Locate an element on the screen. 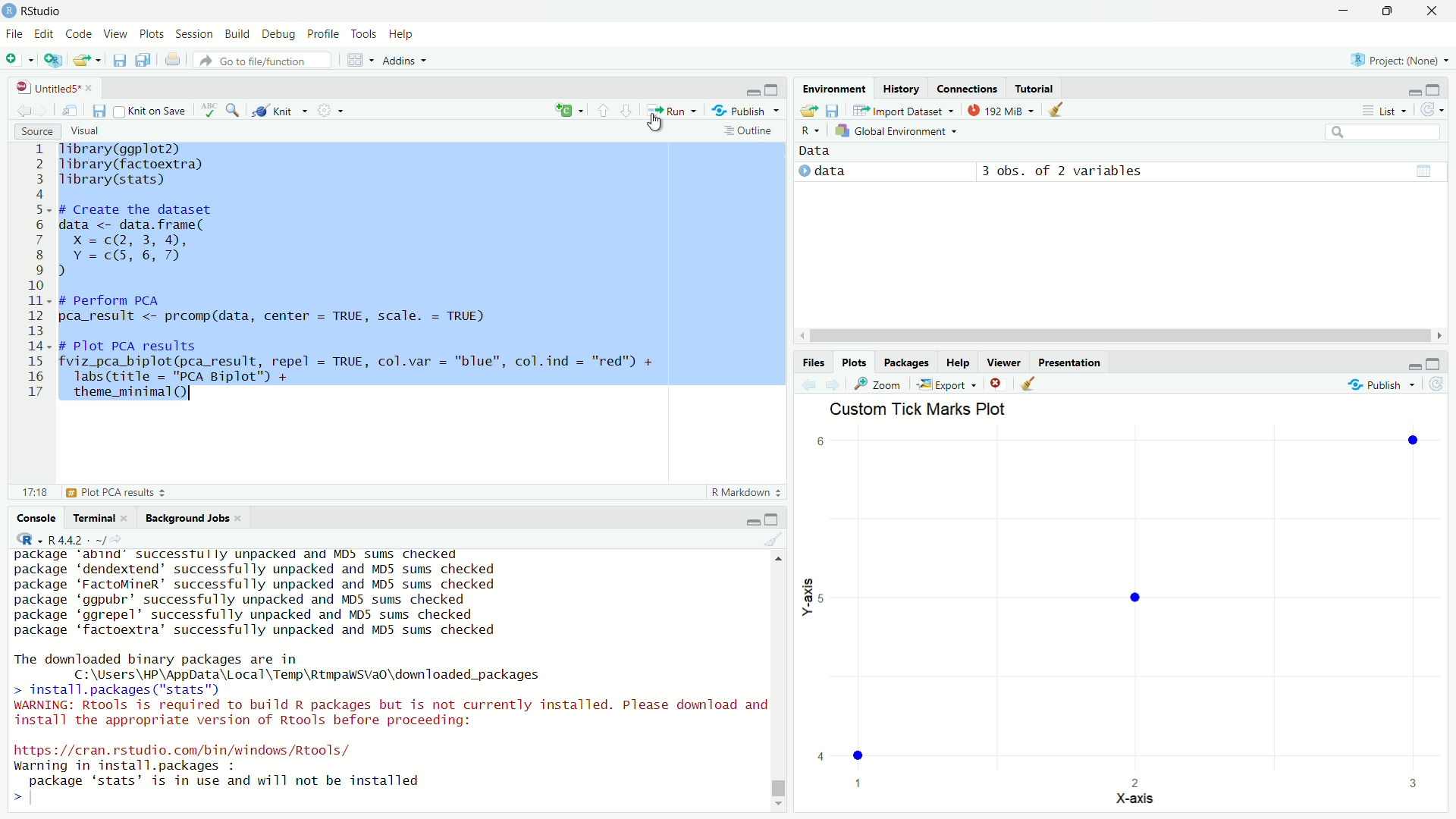 The width and height of the screenshot is (1456, 819). plots is located at coordinates (152, 35).